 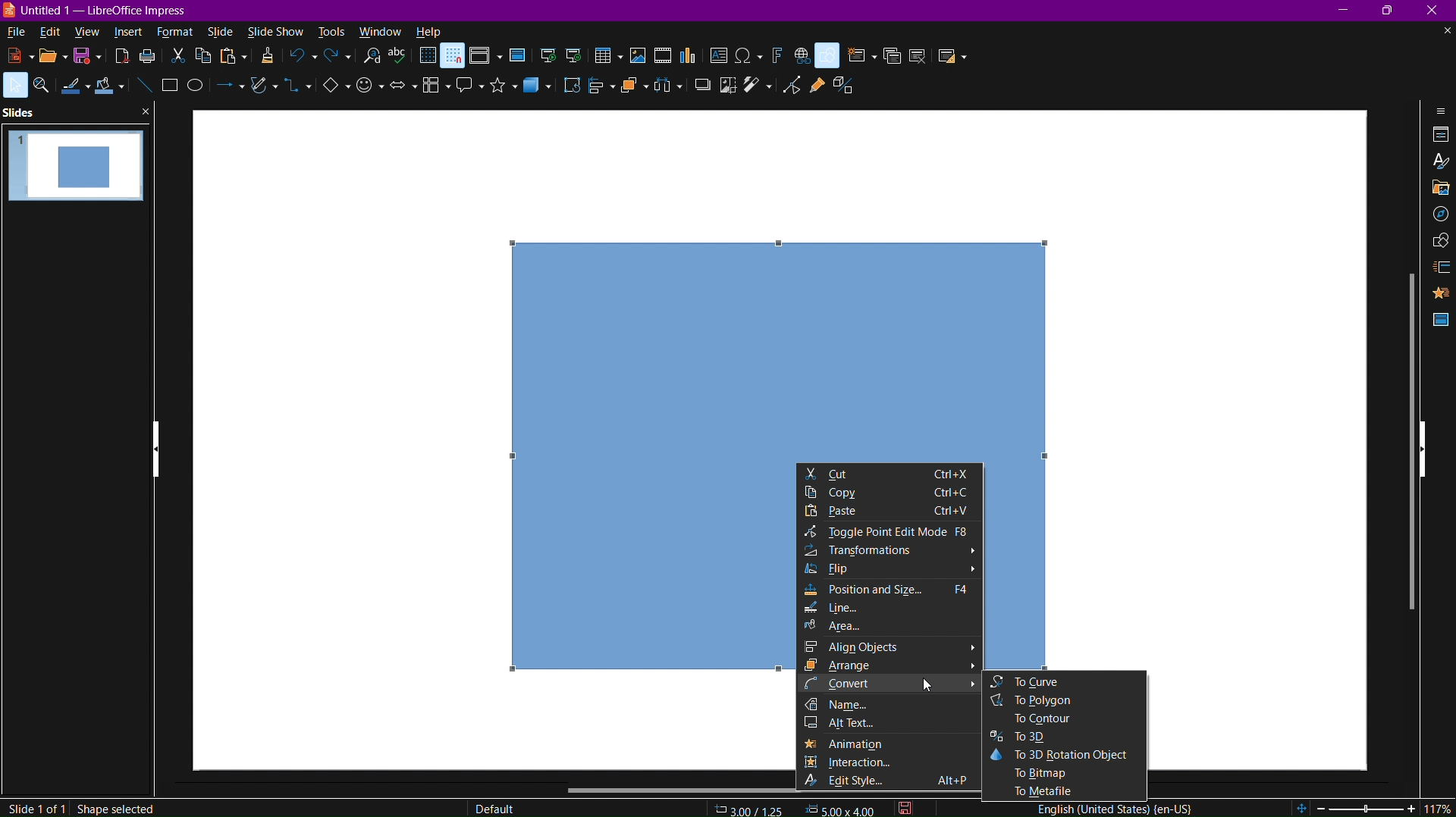 I want to click on Rectangle, so click(x=170, y=86).